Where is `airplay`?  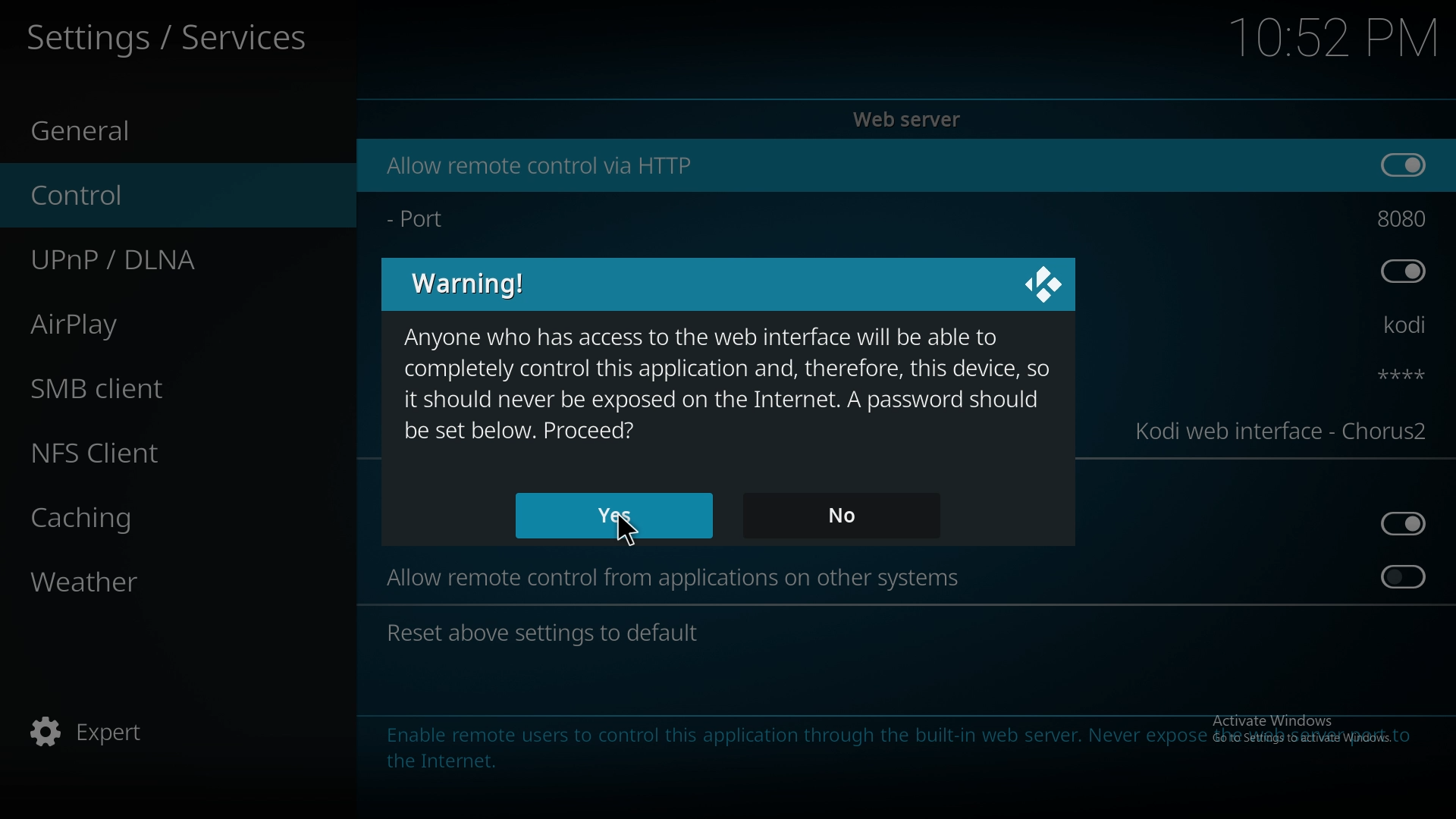
airplay is located at coordinates (153, 322).